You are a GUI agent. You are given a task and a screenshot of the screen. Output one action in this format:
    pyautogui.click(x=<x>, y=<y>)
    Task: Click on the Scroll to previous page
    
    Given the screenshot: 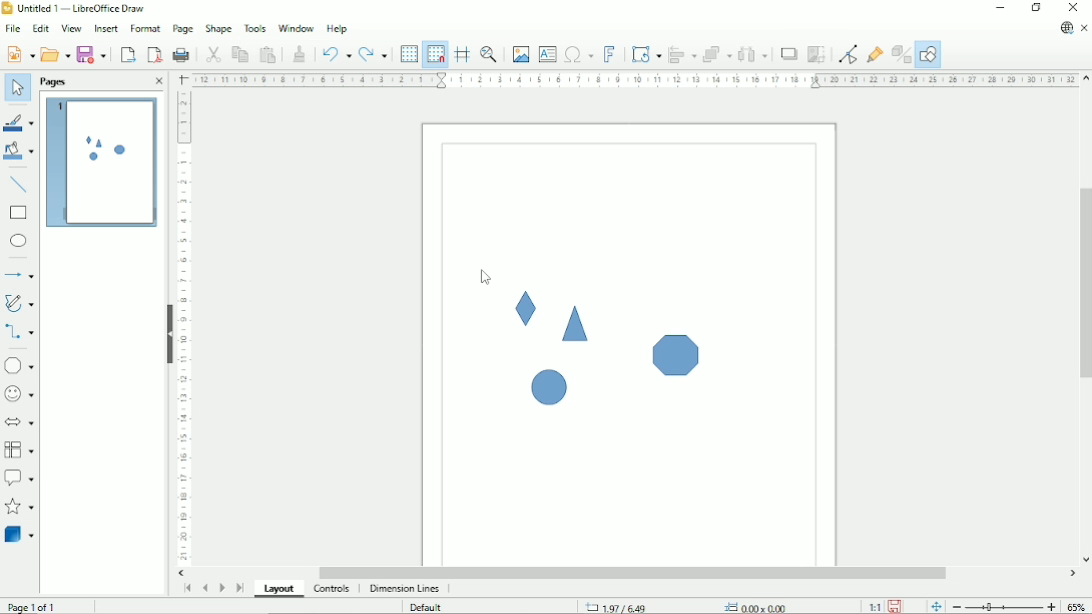 What is the action you would take?
    pyautogui.click(x=206, y=586)
    